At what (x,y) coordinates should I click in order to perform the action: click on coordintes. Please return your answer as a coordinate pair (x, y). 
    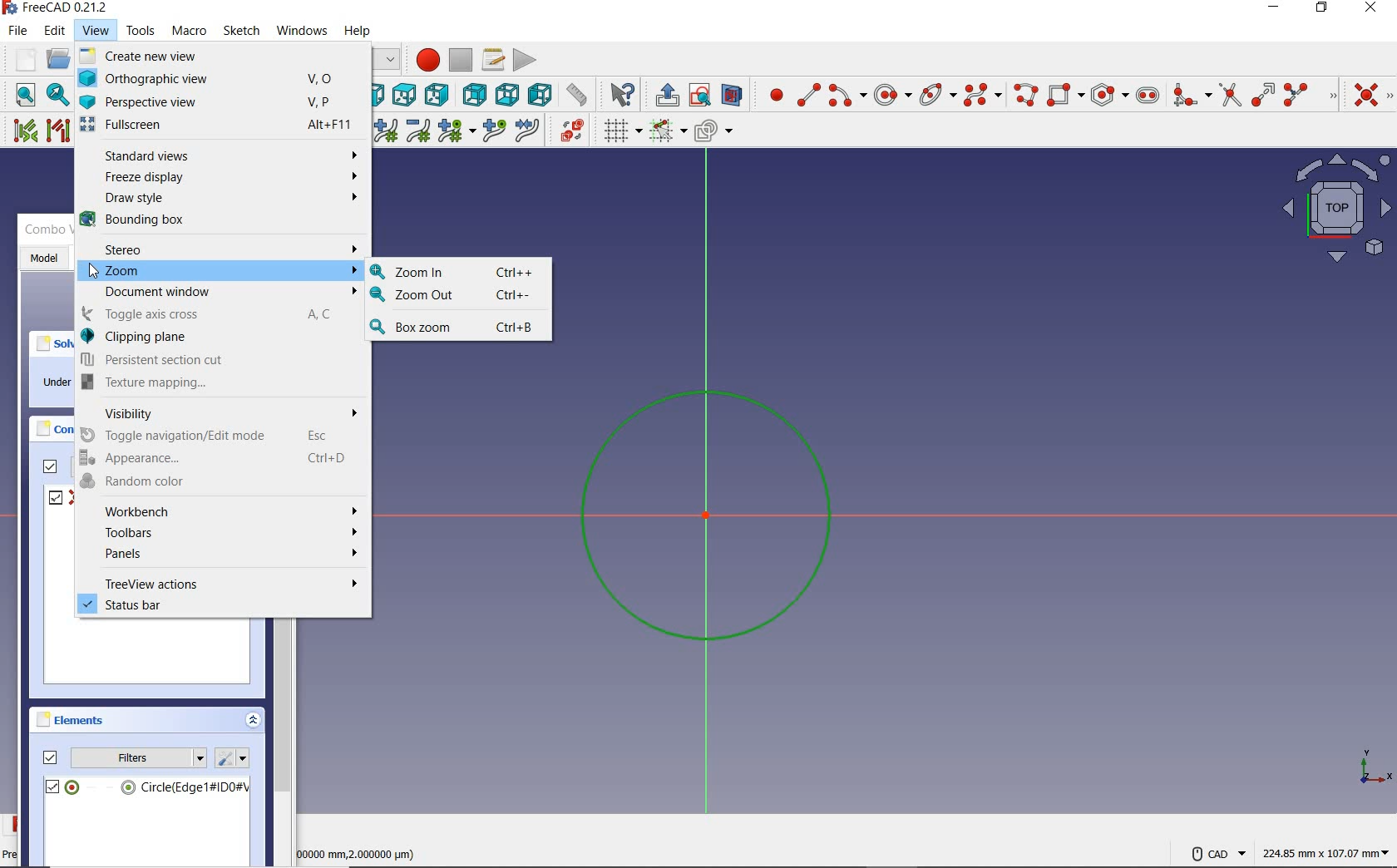
    Looking at the image, I should click on (1325, 855).